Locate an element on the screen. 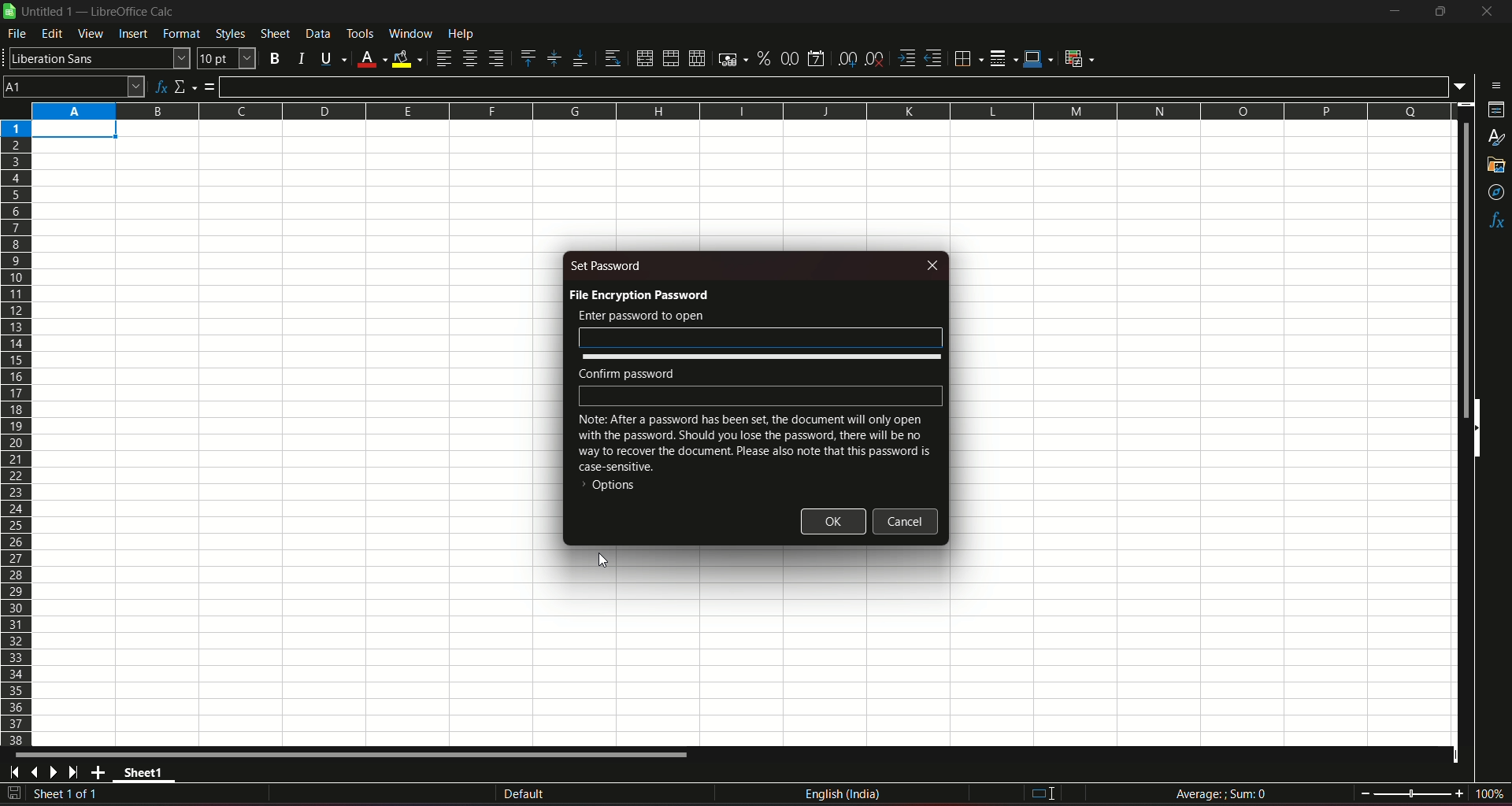 This screenshot has width=1512, height=806. file is located at coordinates (18, 36).